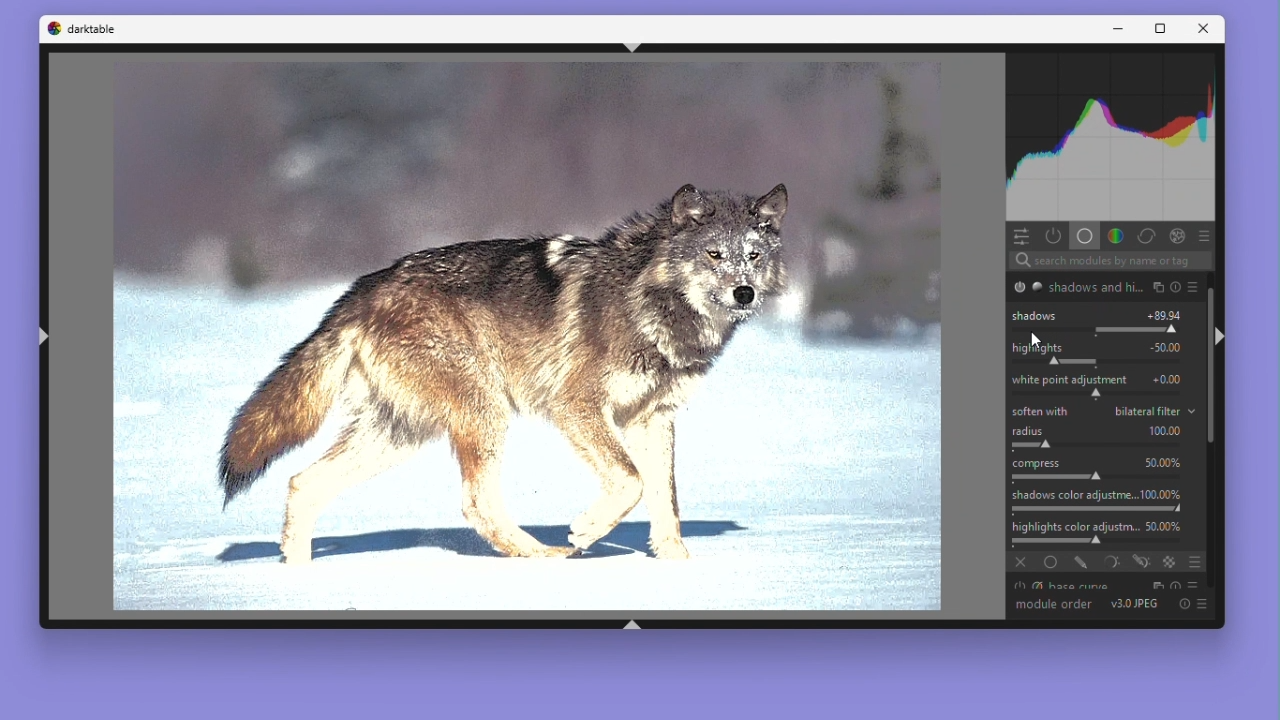  I want to click on 'base curve' is switched on, so click(1028, 585).